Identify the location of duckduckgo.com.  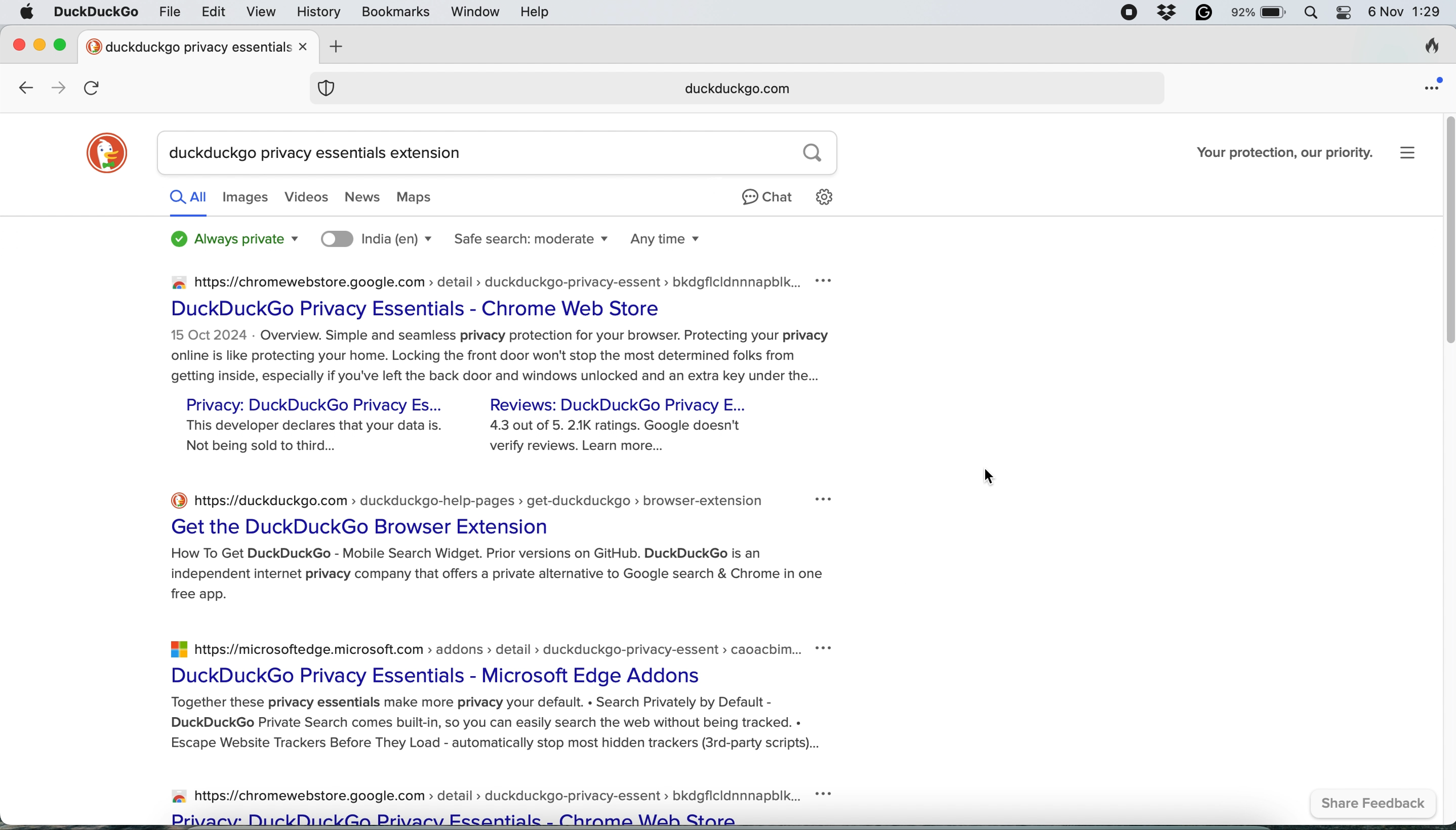
(737, 89).